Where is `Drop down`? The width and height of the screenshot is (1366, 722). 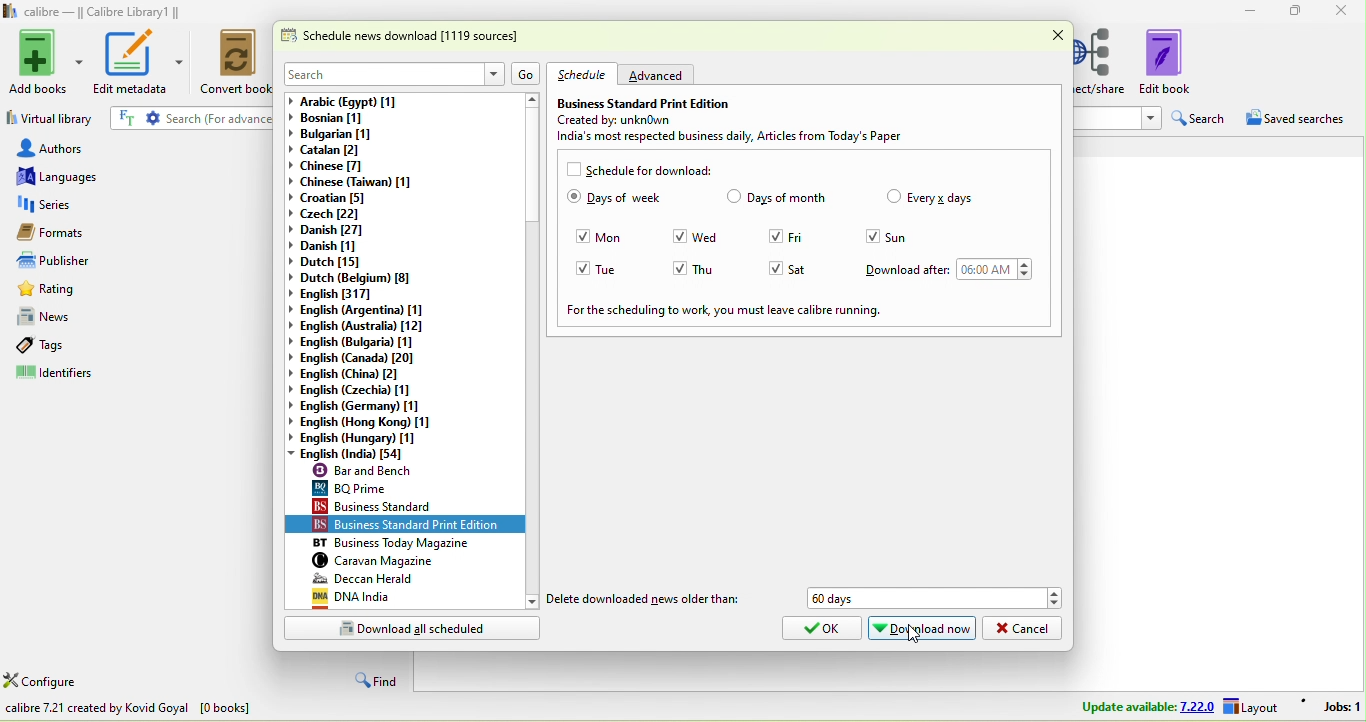 Drop down is located at coordinates (491, 72).